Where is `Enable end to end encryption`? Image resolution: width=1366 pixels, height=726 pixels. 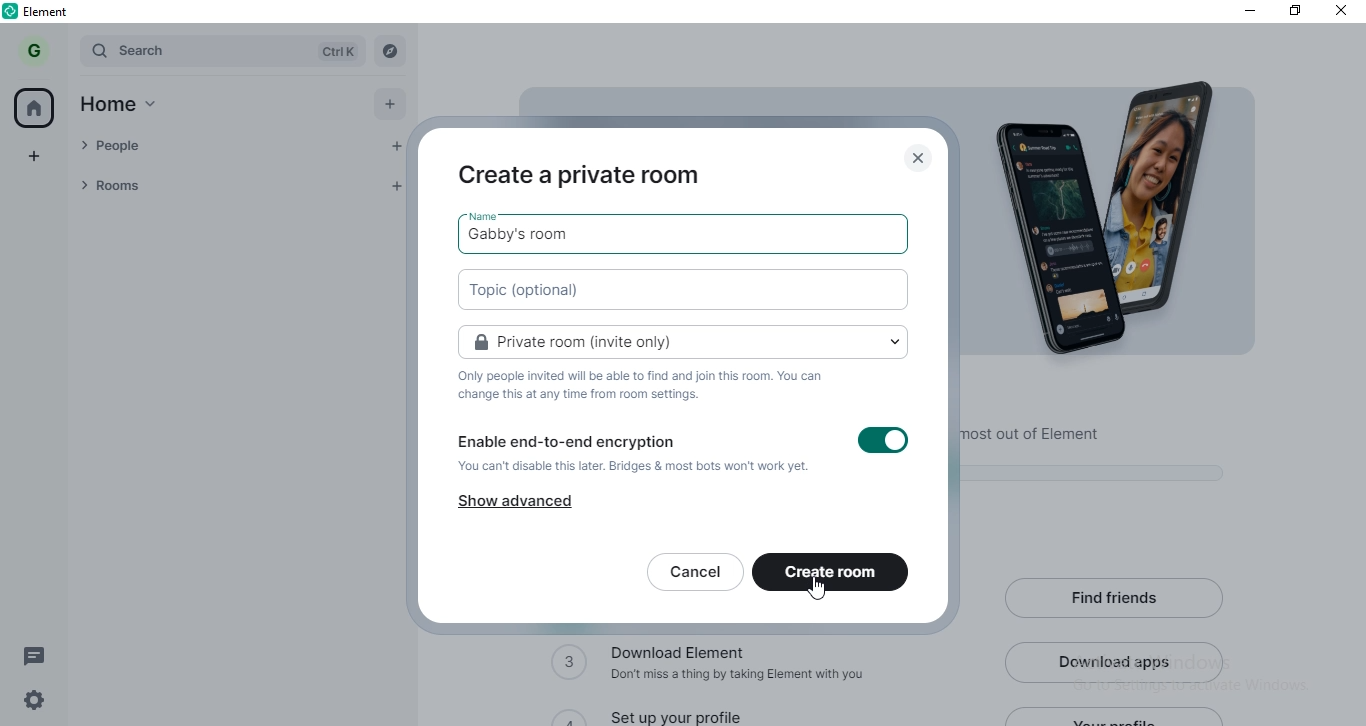 Enable end to end encryption is located at coordinates (682, 457).